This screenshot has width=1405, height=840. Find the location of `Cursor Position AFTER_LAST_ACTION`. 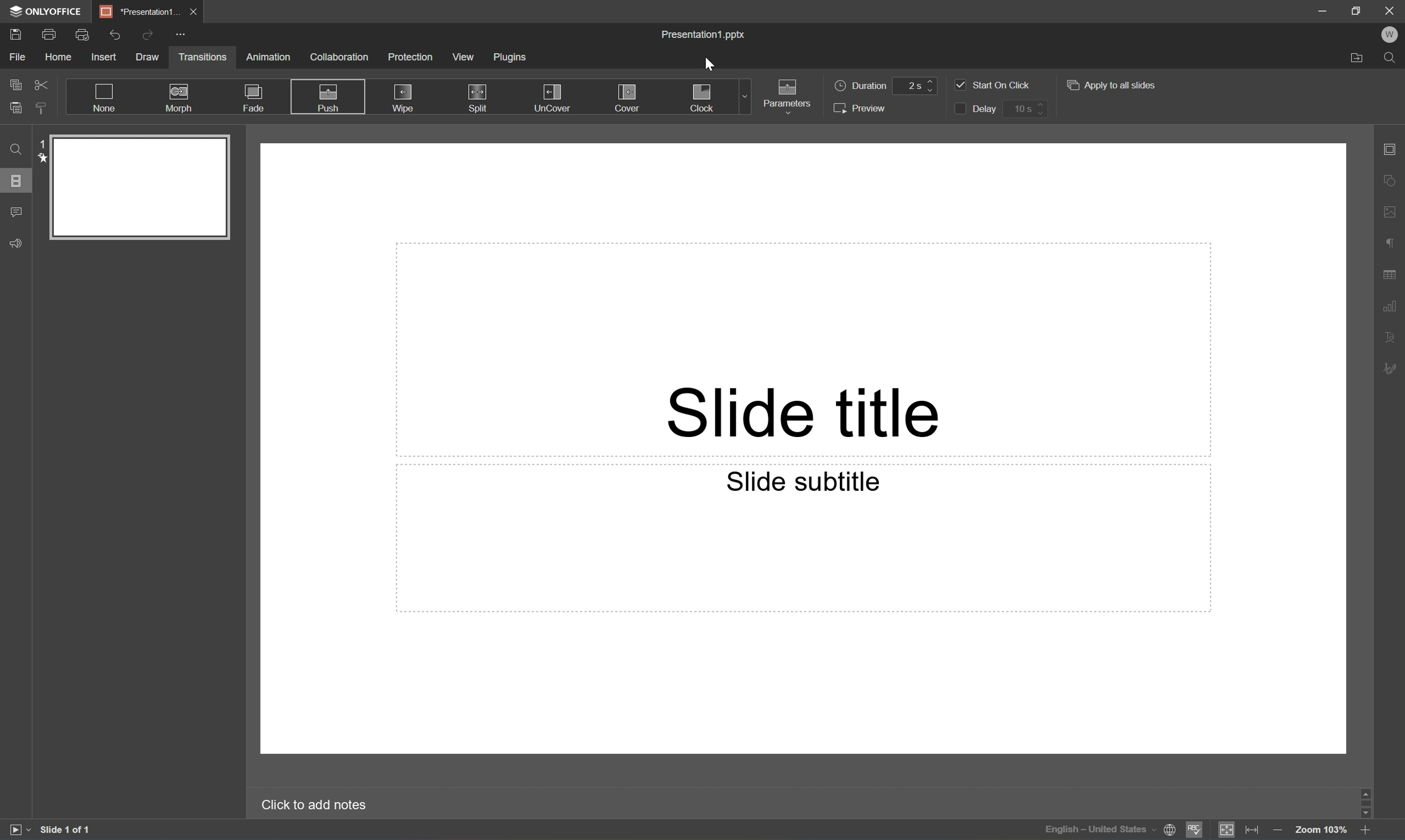

Cursor Position AFTER_LAST_ACTION is located at coordinates (708, 63).